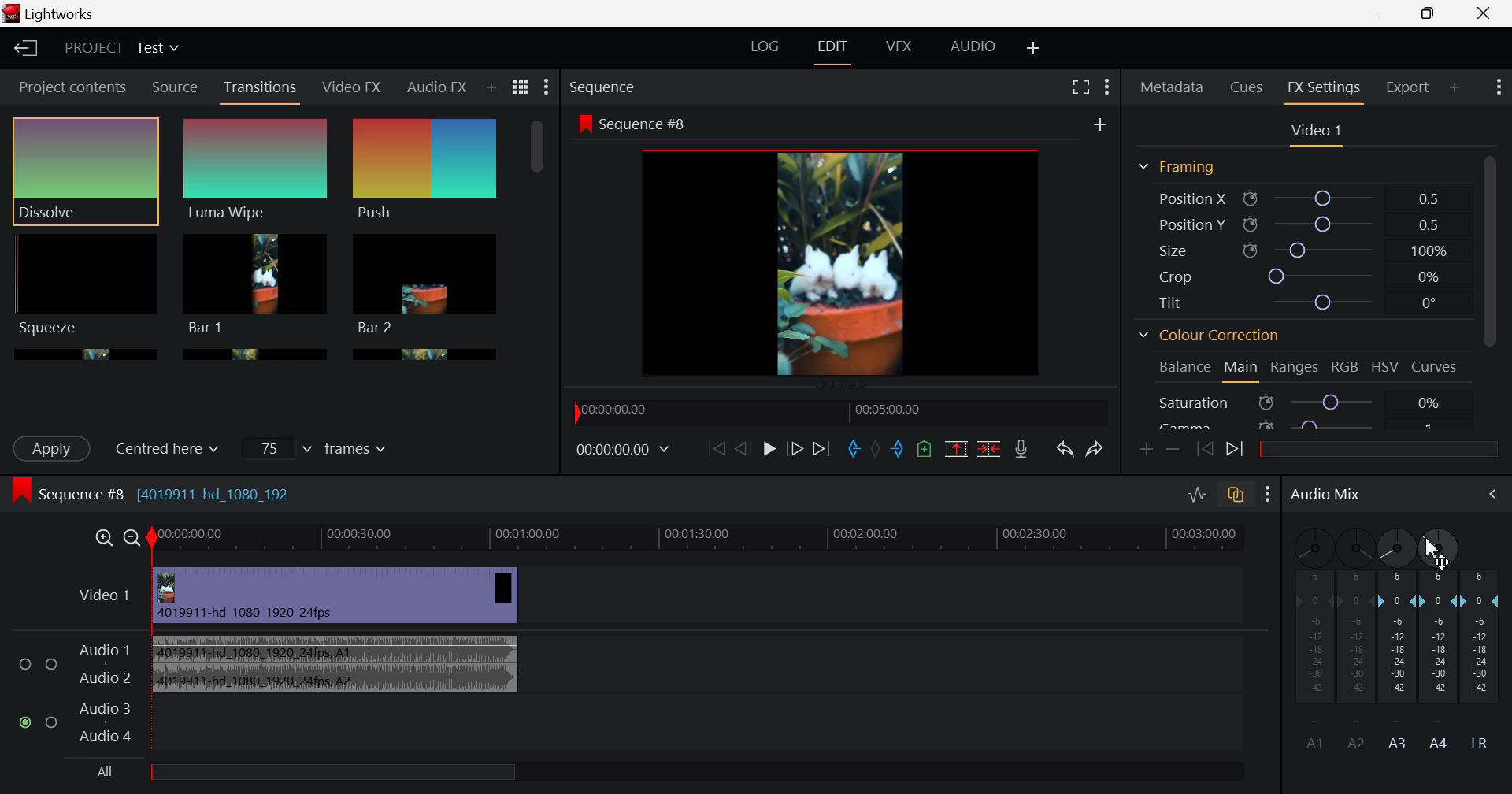 The image size is (1512, 794). Describe the element at coordinates (1303, 275) in the screenshot. I see `Crop` at that location.